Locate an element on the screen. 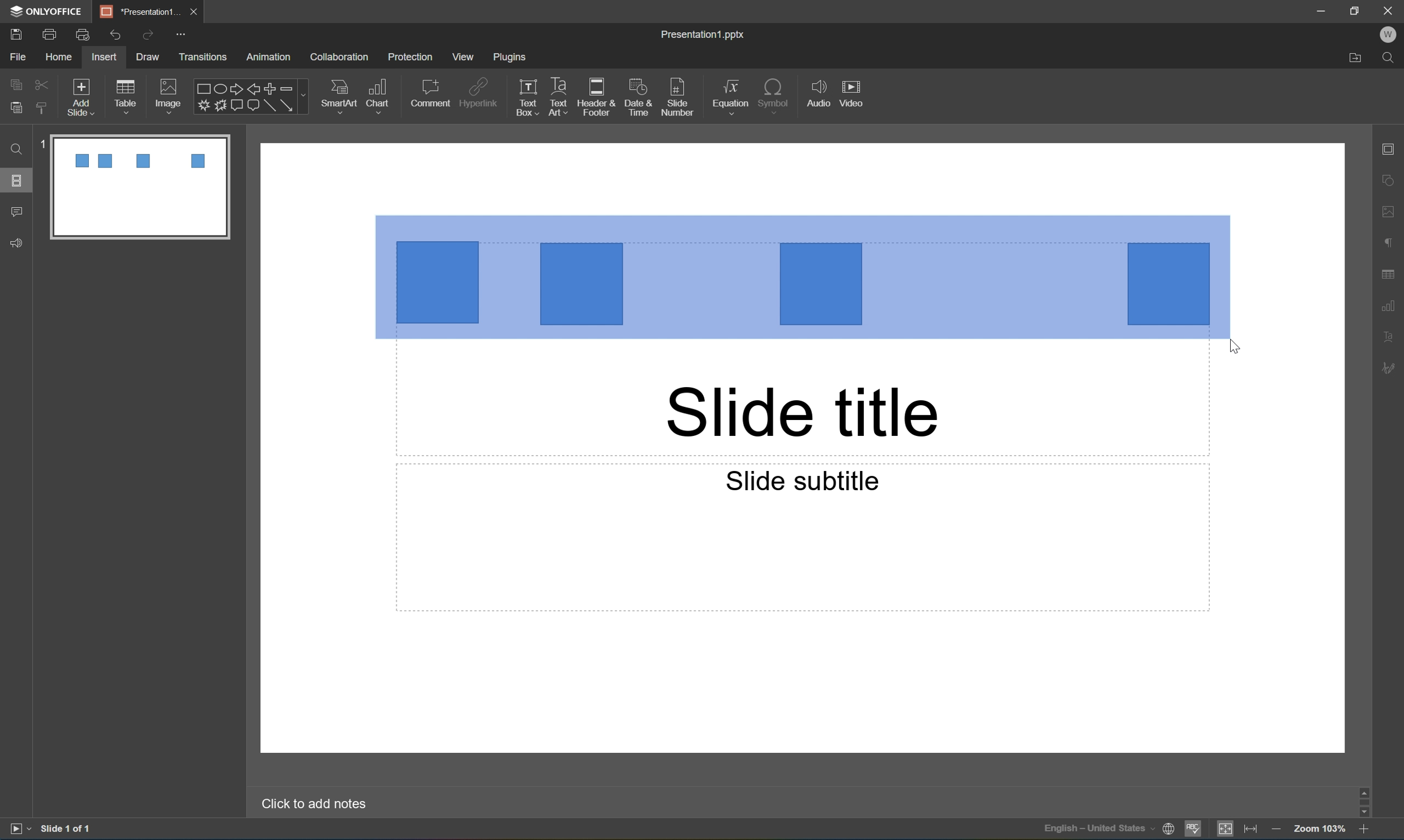 The height and width of the screenshot is (840, 1404). symbol is located at coordinates (774, 94).